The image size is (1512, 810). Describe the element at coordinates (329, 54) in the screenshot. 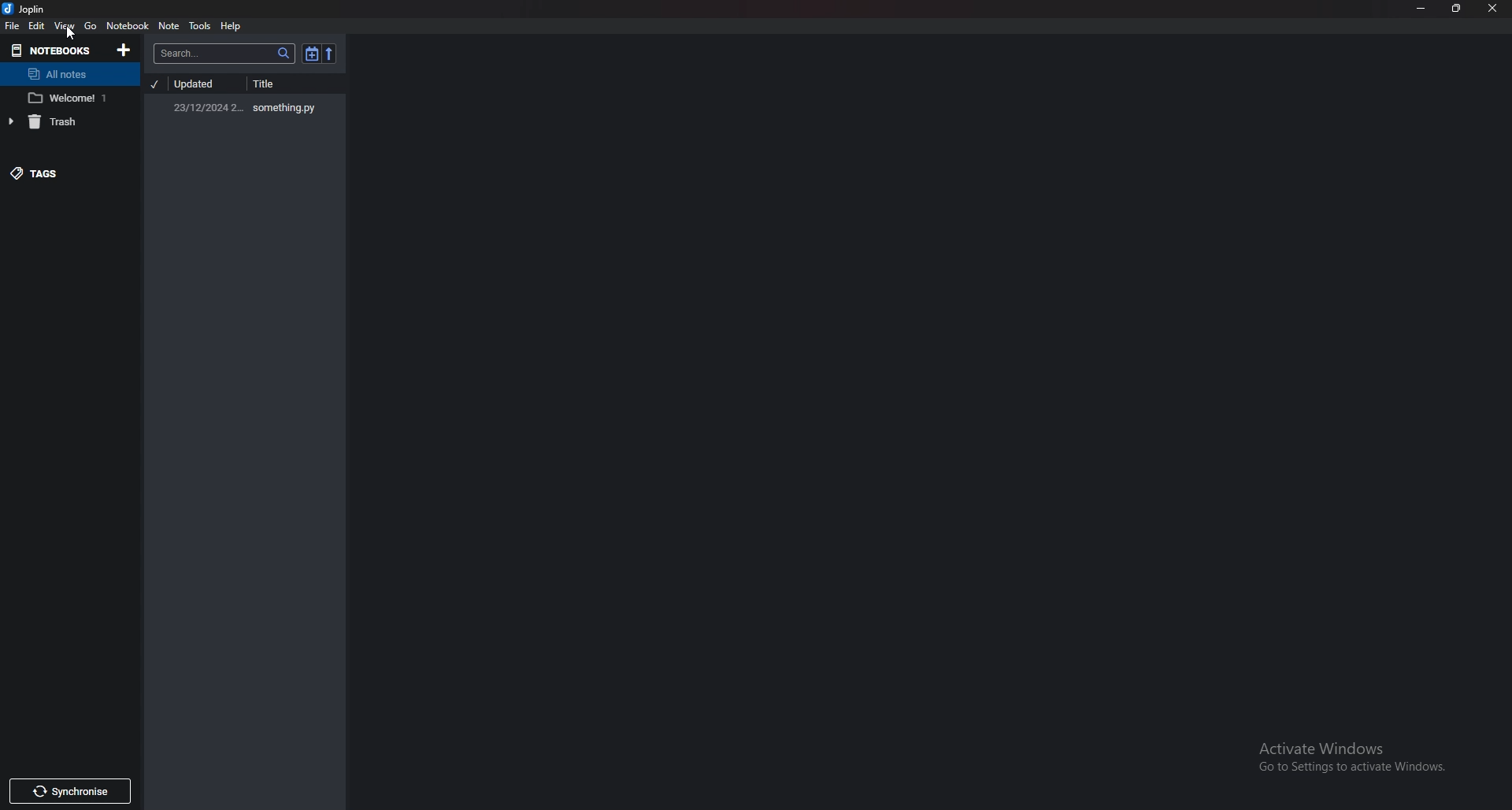

I see `Reverse sort order` at that location.